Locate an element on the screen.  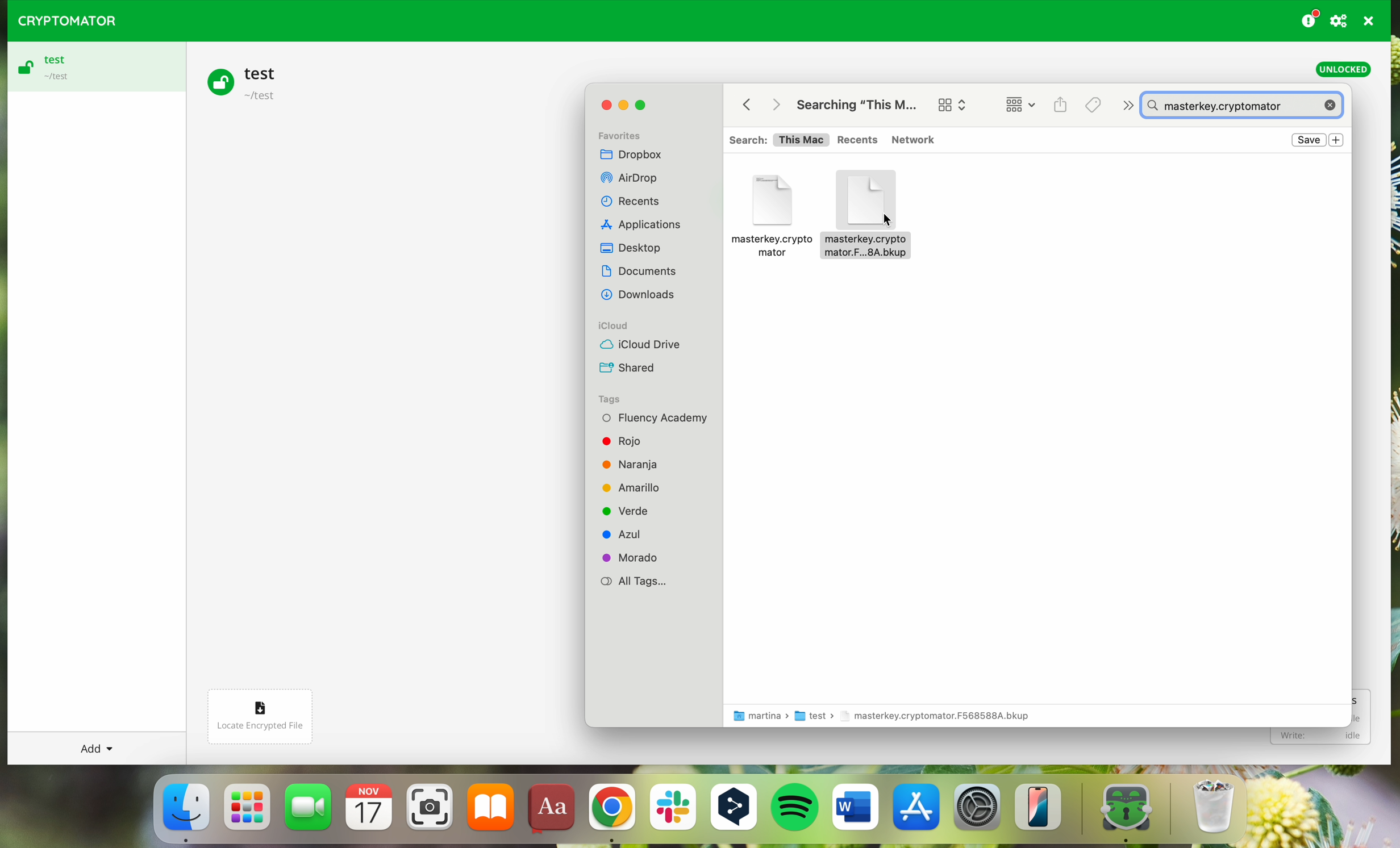
Favorites is located at coordinates (628, 132).